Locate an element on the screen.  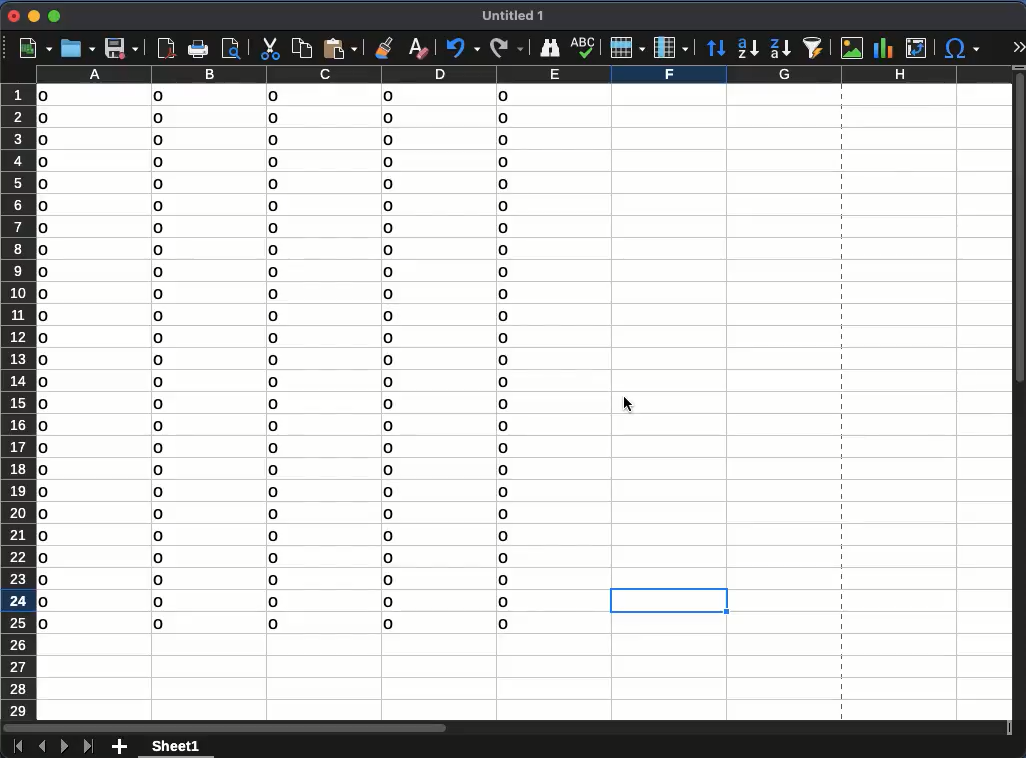
print is located at coordinates (198, 49).